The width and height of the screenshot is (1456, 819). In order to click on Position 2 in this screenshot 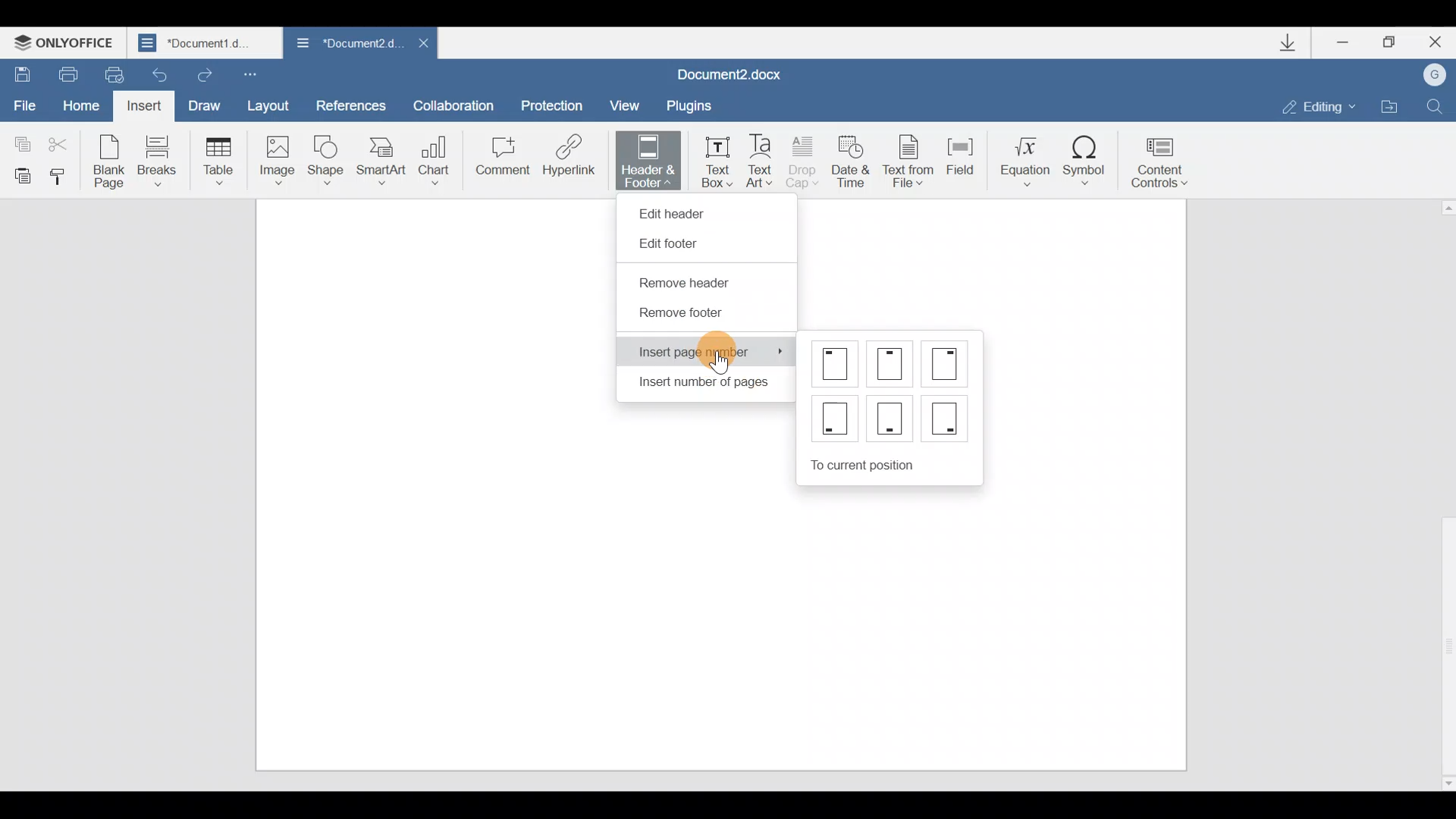, I will do `click(892, 364)`.